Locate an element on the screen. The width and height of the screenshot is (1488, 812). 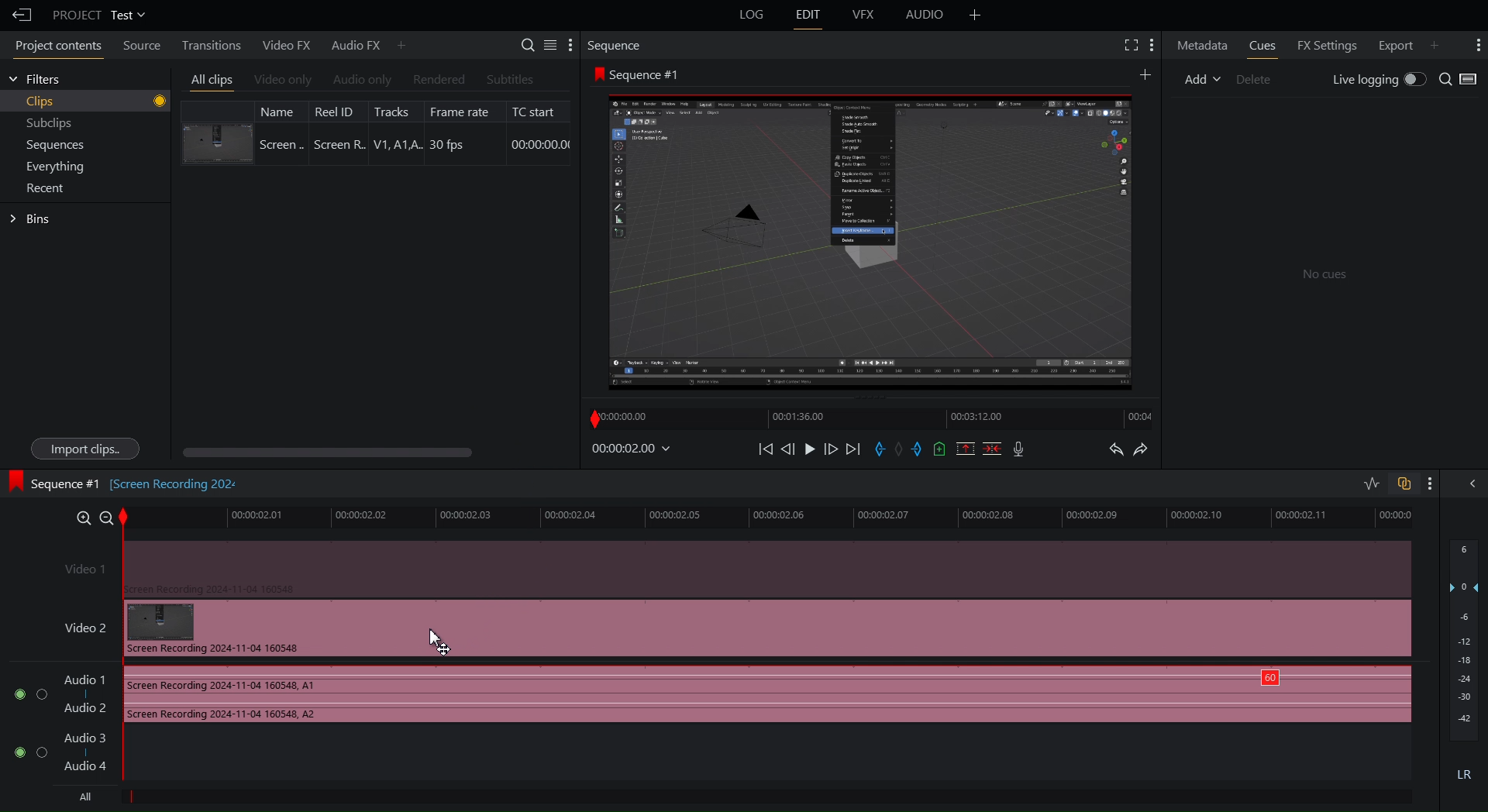
Audio Only is located at coordinates (361, 81).